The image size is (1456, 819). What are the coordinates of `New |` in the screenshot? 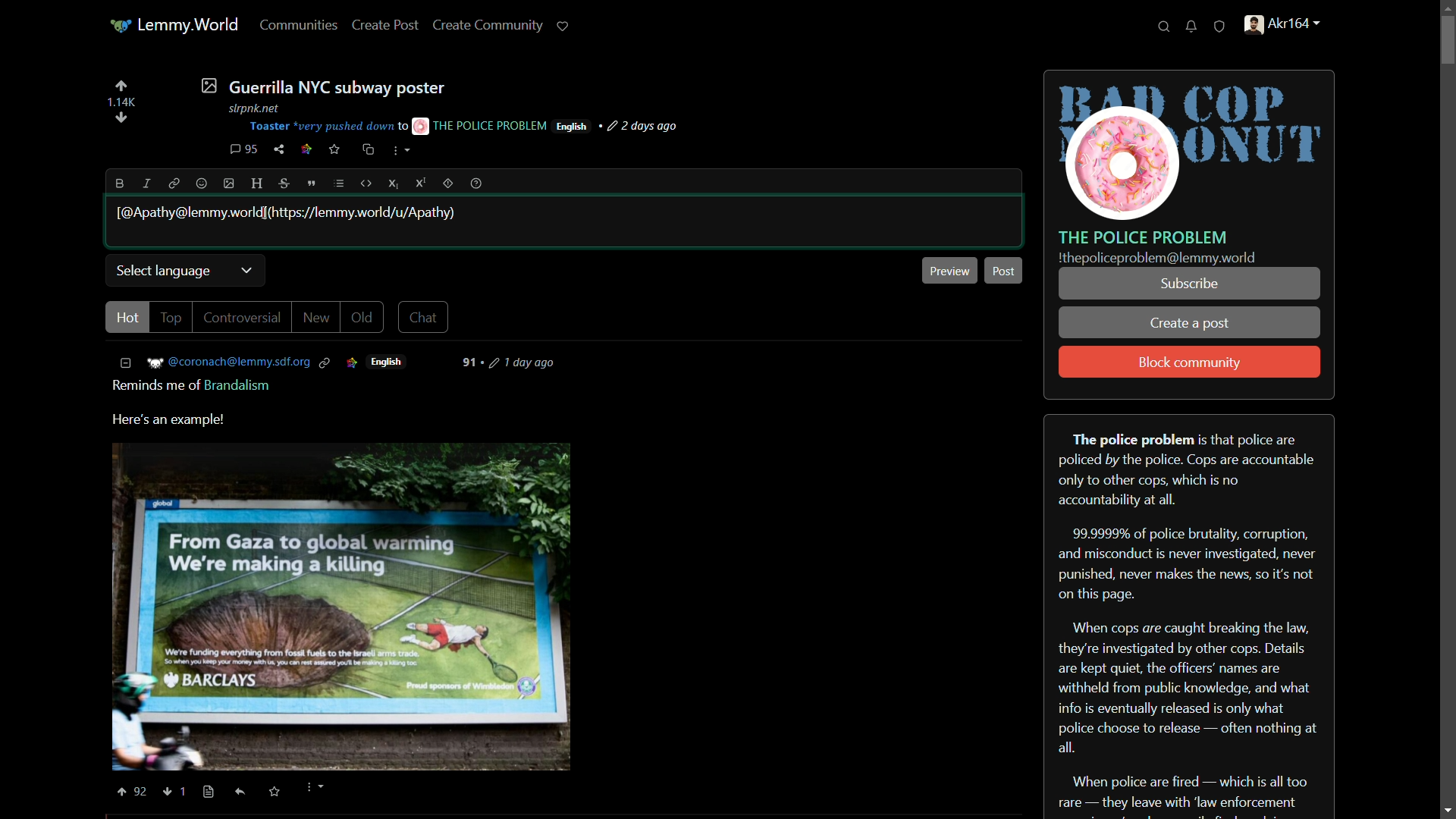 It's located at (318, 318).